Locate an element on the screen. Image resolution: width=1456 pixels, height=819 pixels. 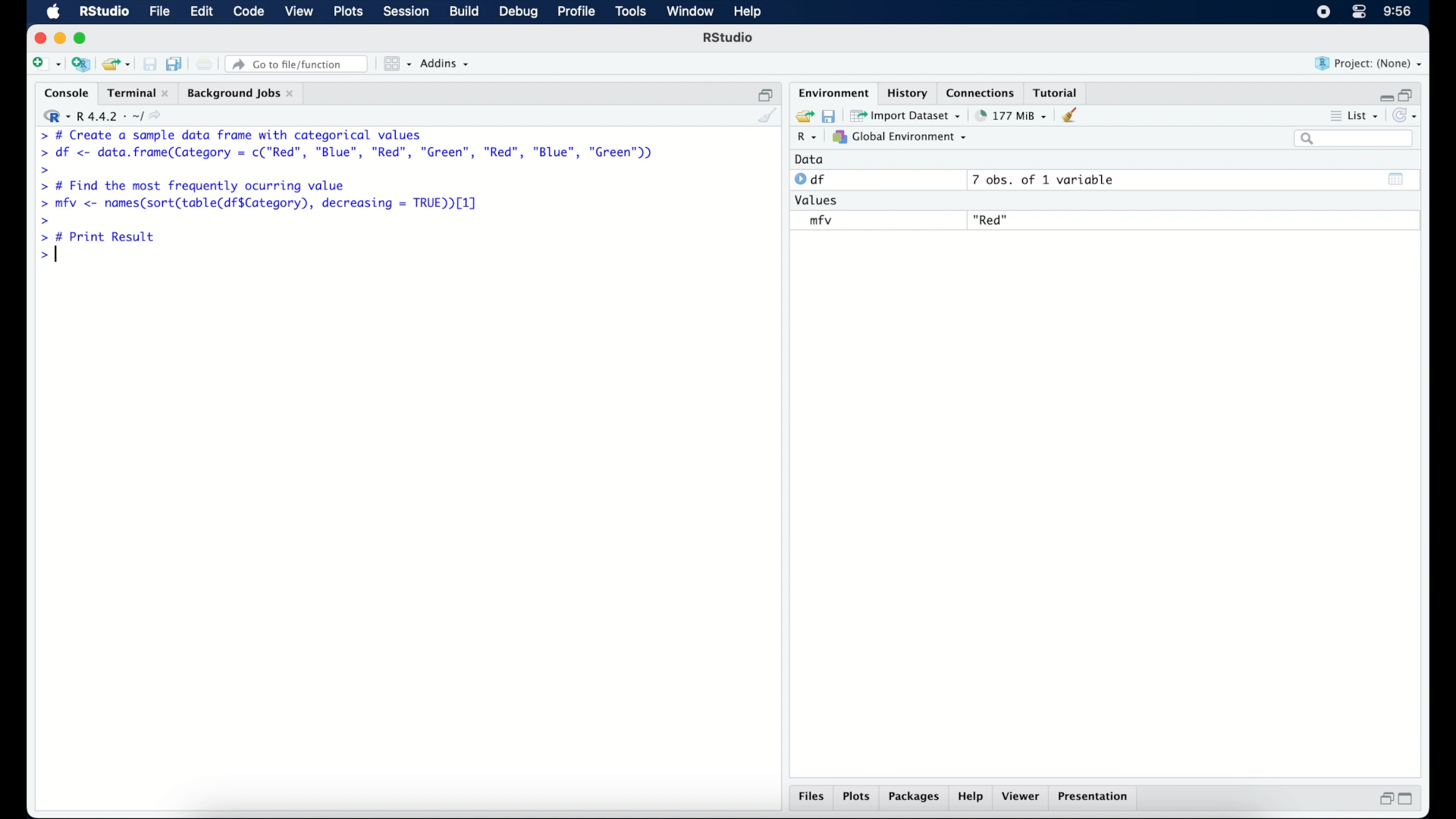
load workspace is located at coordinates (802, 114).